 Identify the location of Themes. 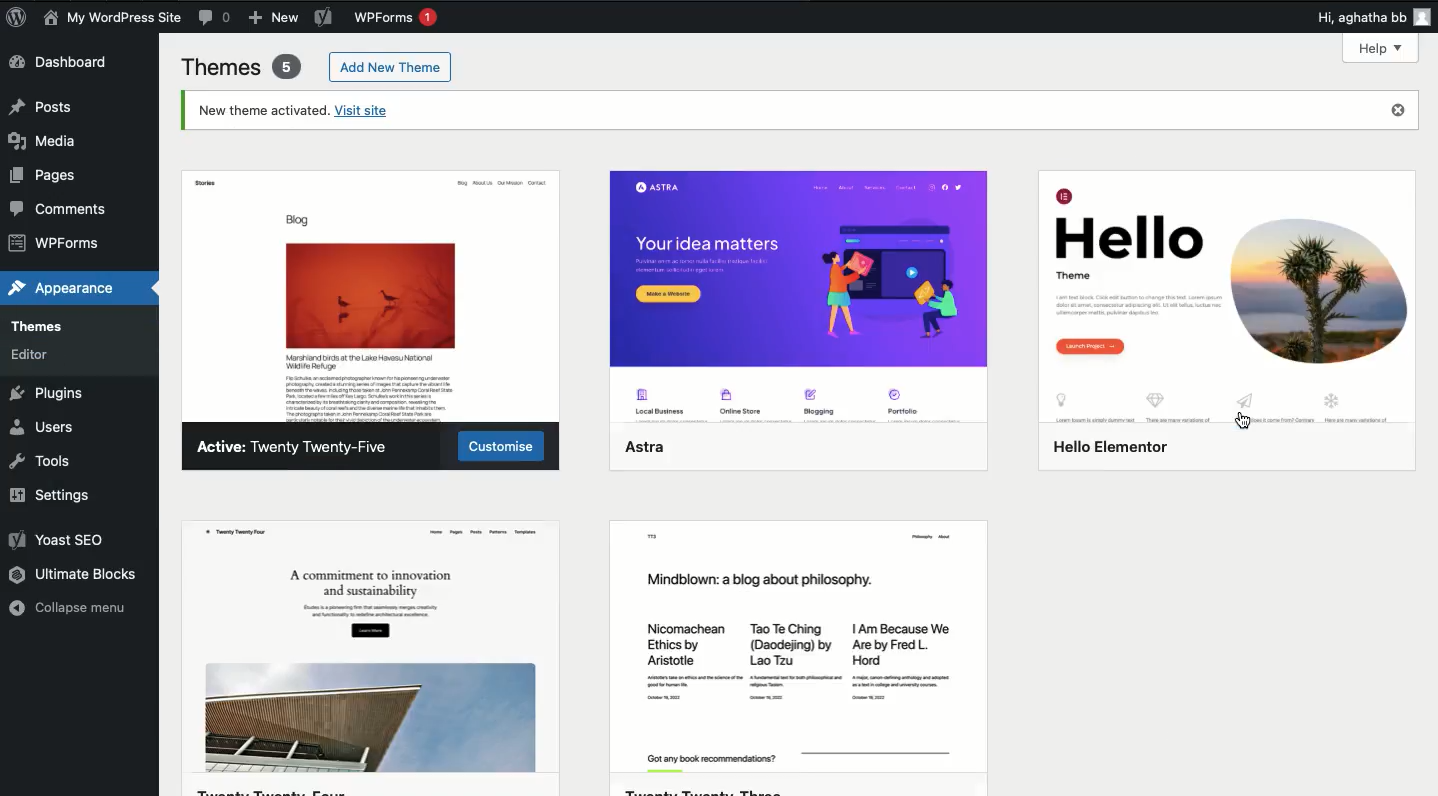
(239, 68).